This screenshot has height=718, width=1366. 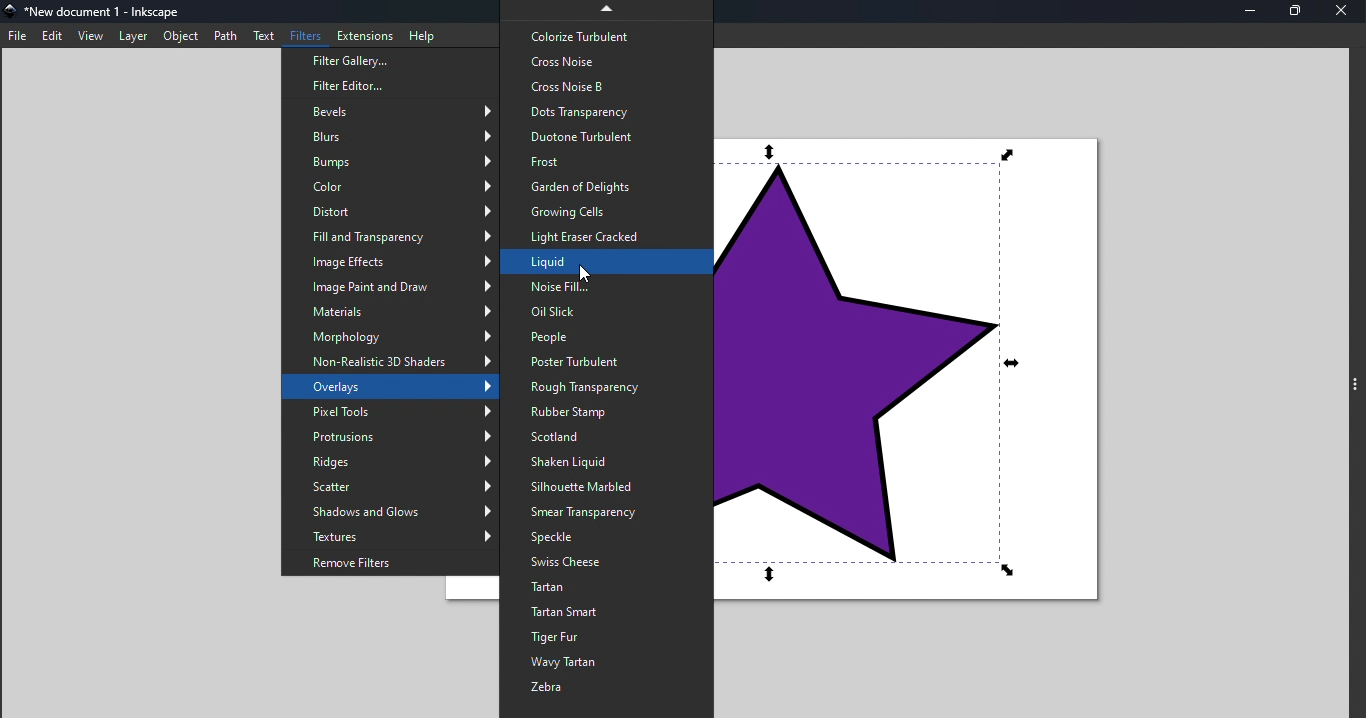 I want to click on Bumps, so click(x=389, y=161).